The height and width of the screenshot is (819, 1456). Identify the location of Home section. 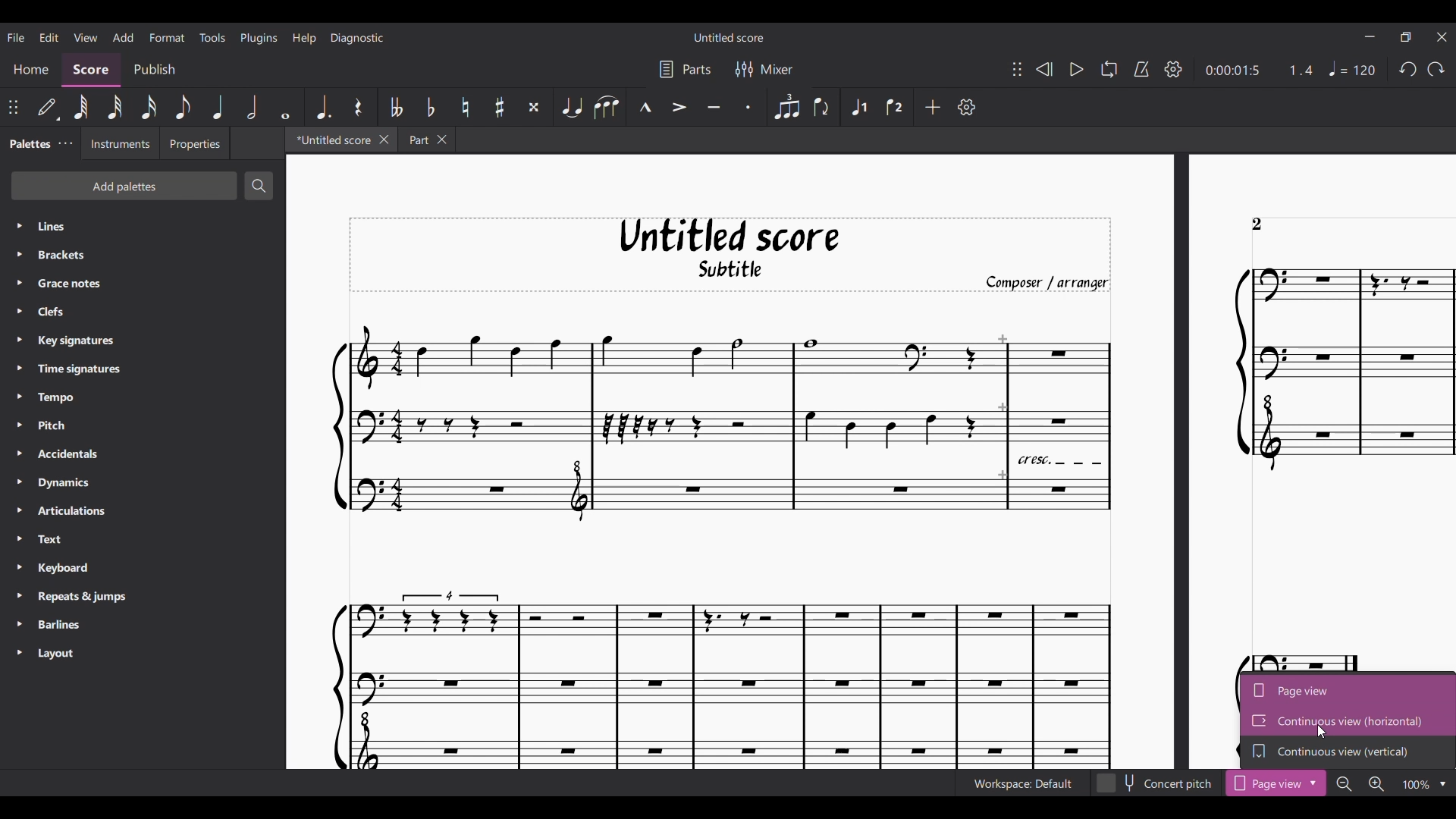
(31, 71).